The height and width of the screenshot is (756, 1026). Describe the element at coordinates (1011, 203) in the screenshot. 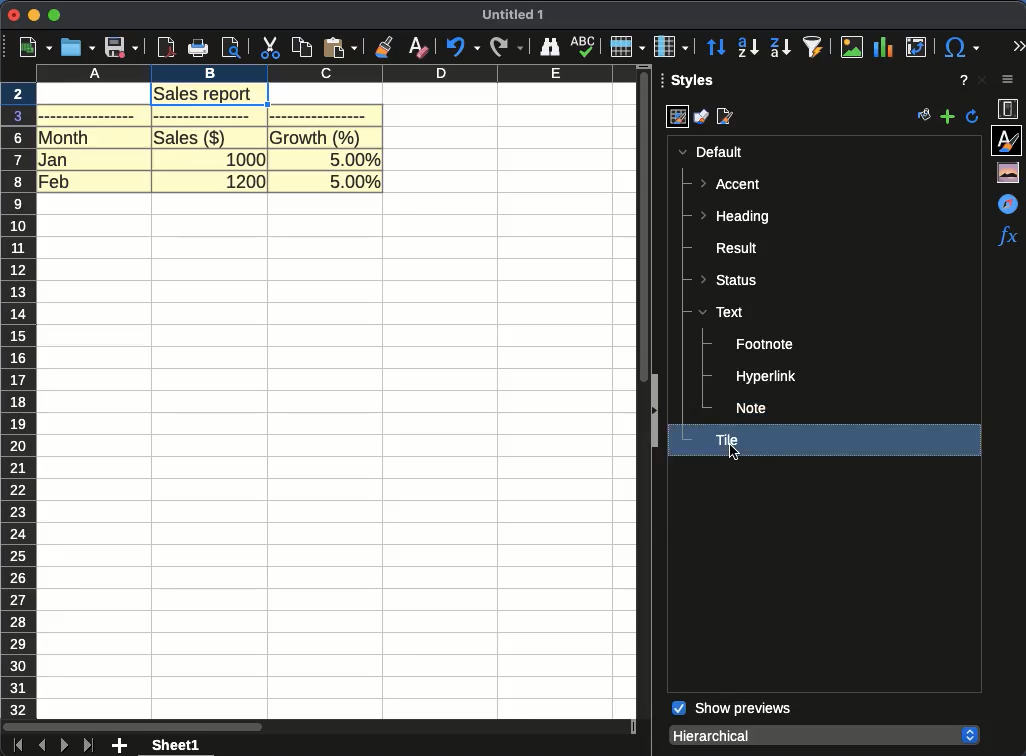

I see `navigator` at that location.